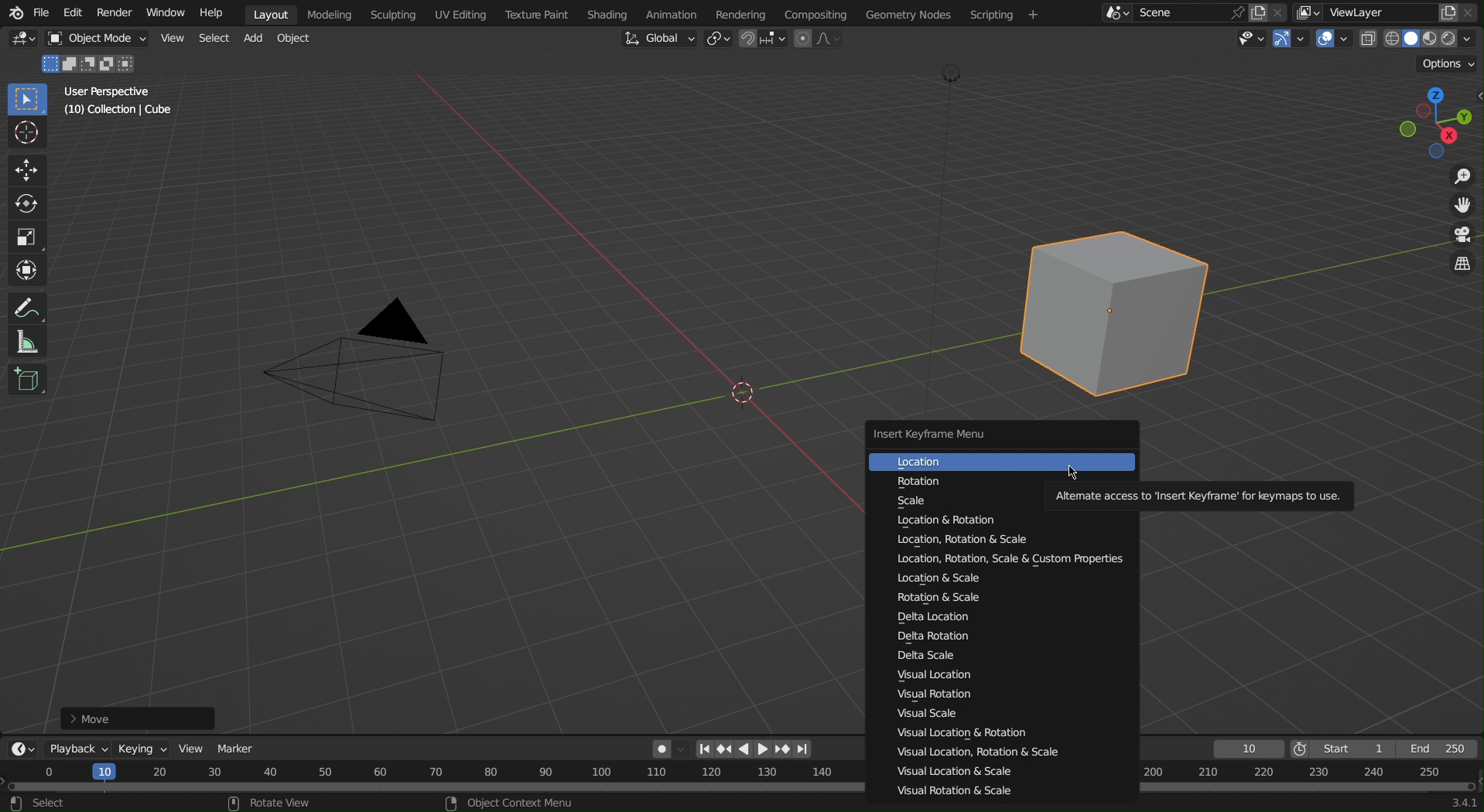 The width and height of the screenshot is (1484, 812). What do you see at coordinates (254, 39) in the screenshot?
I see `Add` at bounding box center [254, 39].